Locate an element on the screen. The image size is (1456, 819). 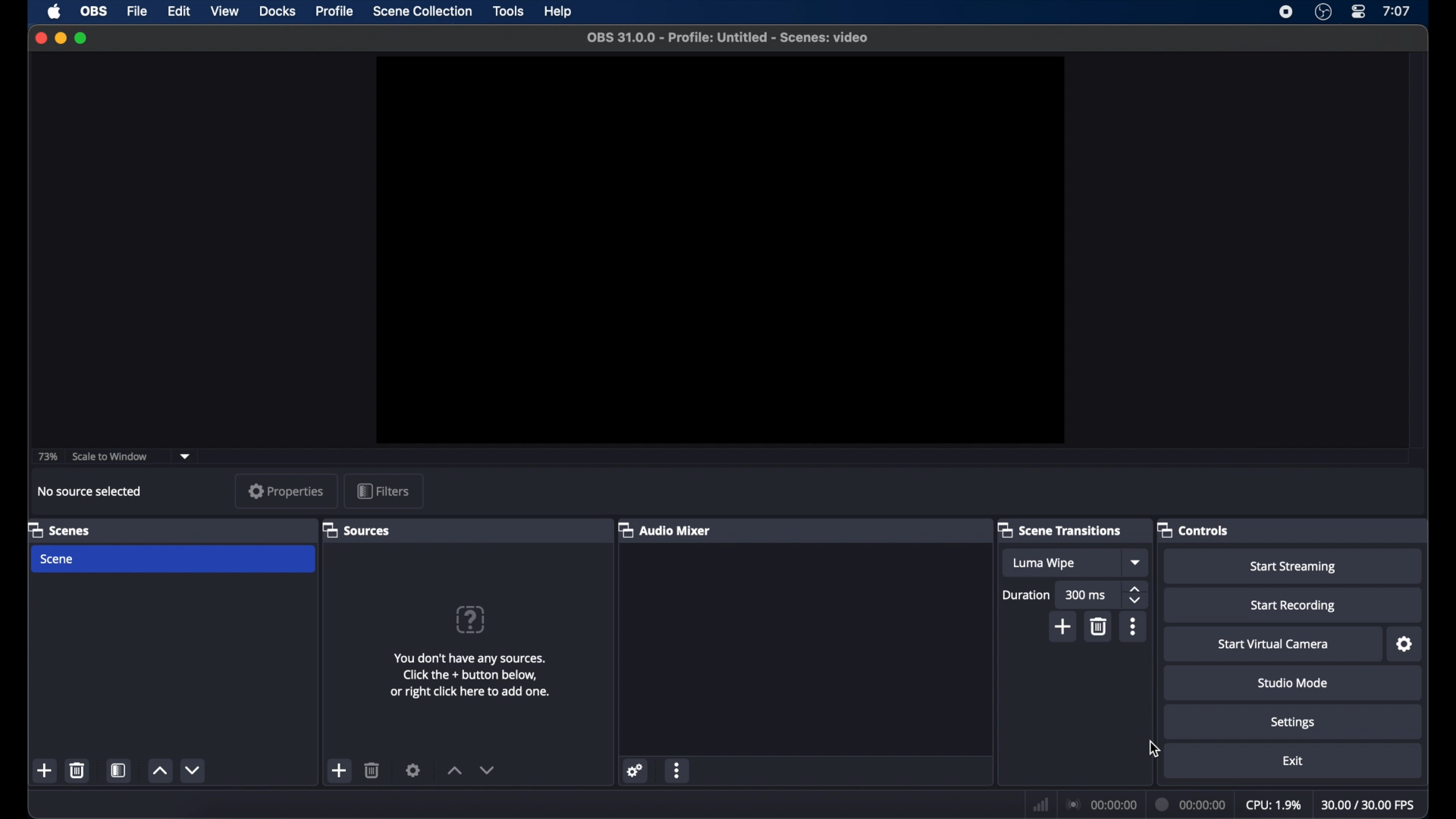
audio mixer is located at coordinates (664, 529).